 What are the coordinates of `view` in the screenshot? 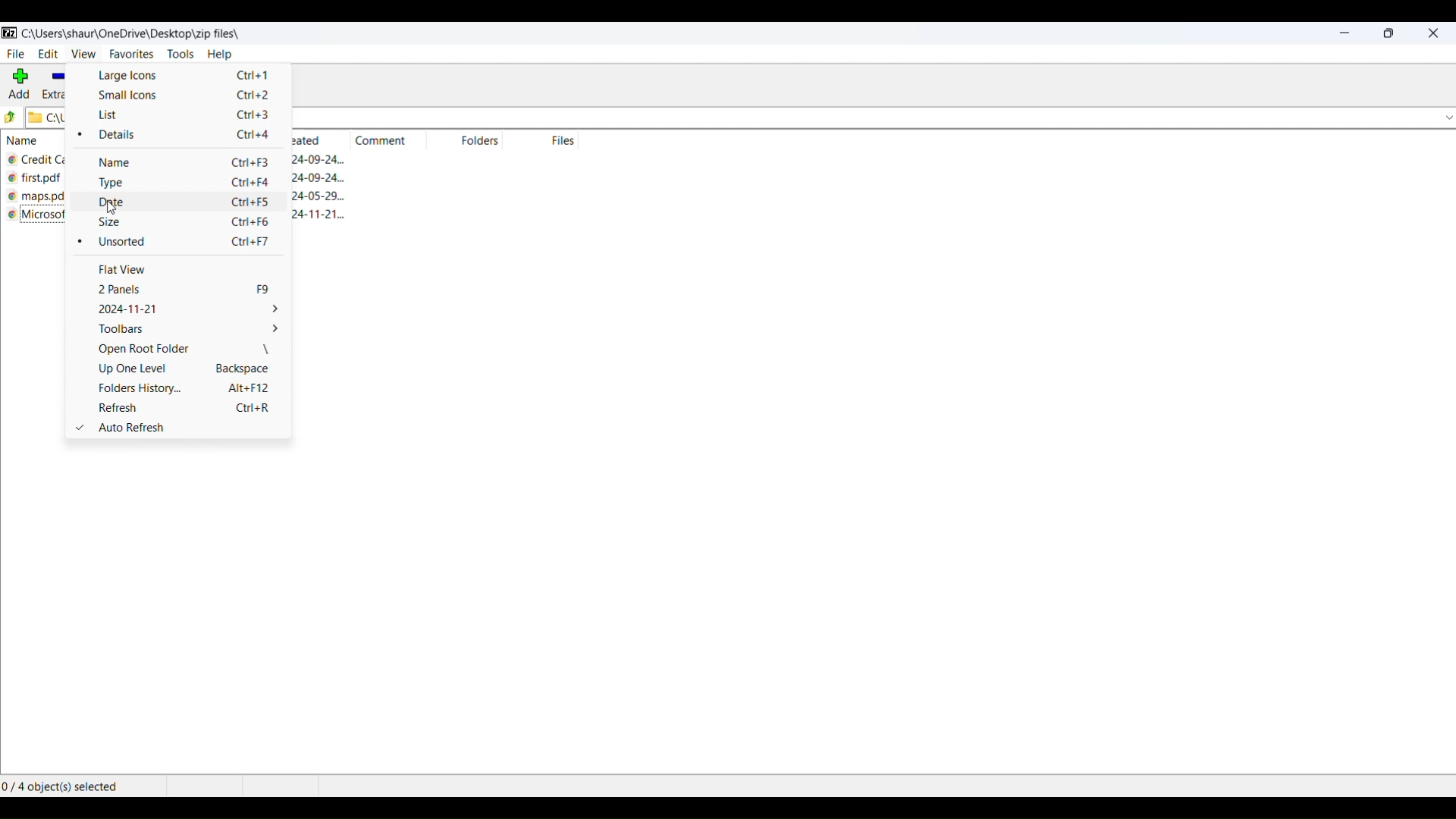 It's located at (83, 58).